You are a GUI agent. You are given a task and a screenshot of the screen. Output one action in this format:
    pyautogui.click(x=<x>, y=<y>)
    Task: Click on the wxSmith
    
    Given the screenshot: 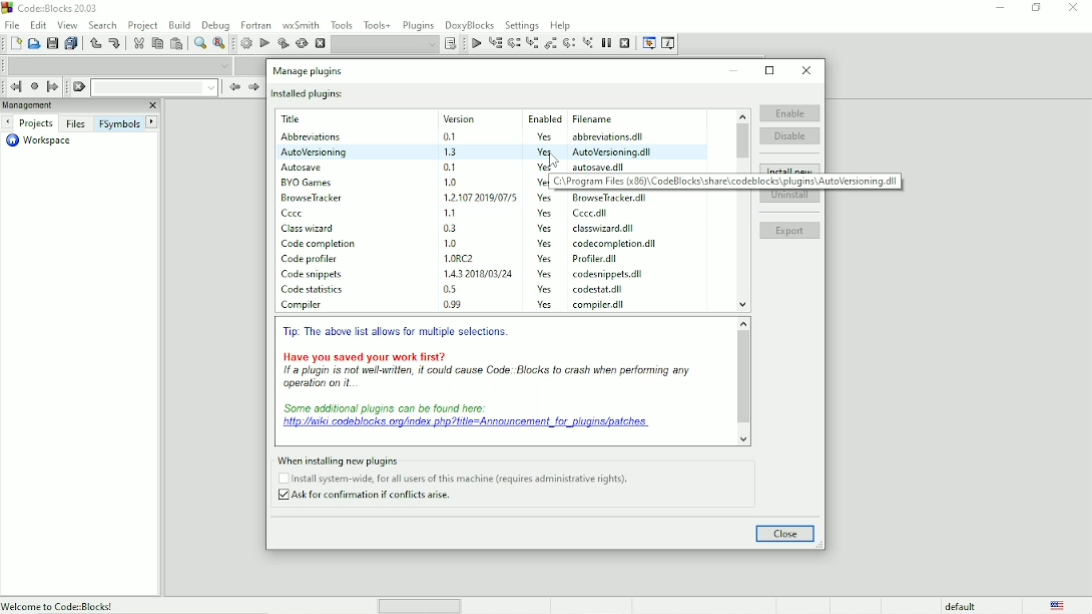 What is the action you would take?
    pyautogui.click(x=302, y=24)
    